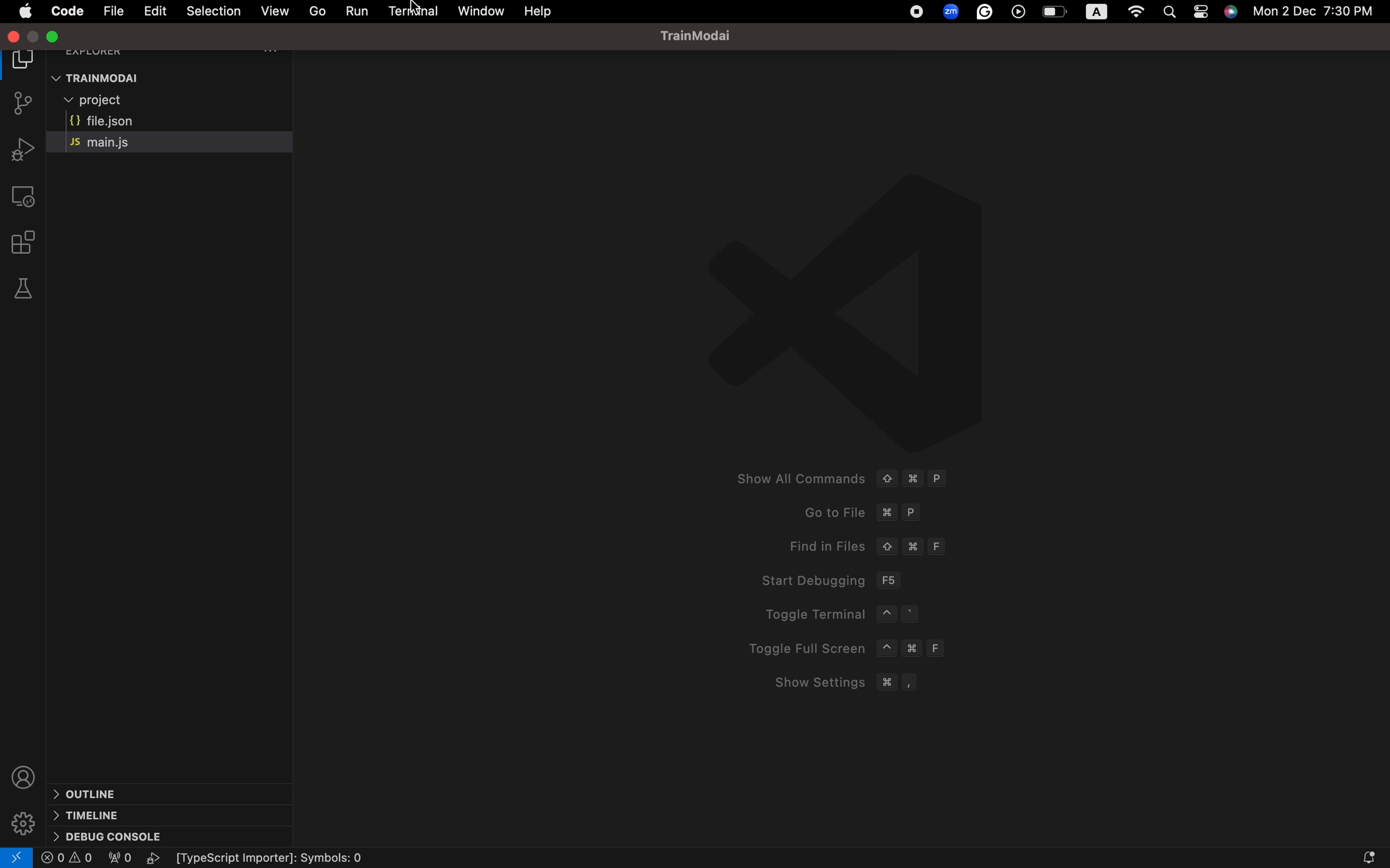 This screenshot has width=1390, height=868. What do you see at coordinates (280, 859) in the screenshot?
I see `Typescript` at bounding box center [280, 859].